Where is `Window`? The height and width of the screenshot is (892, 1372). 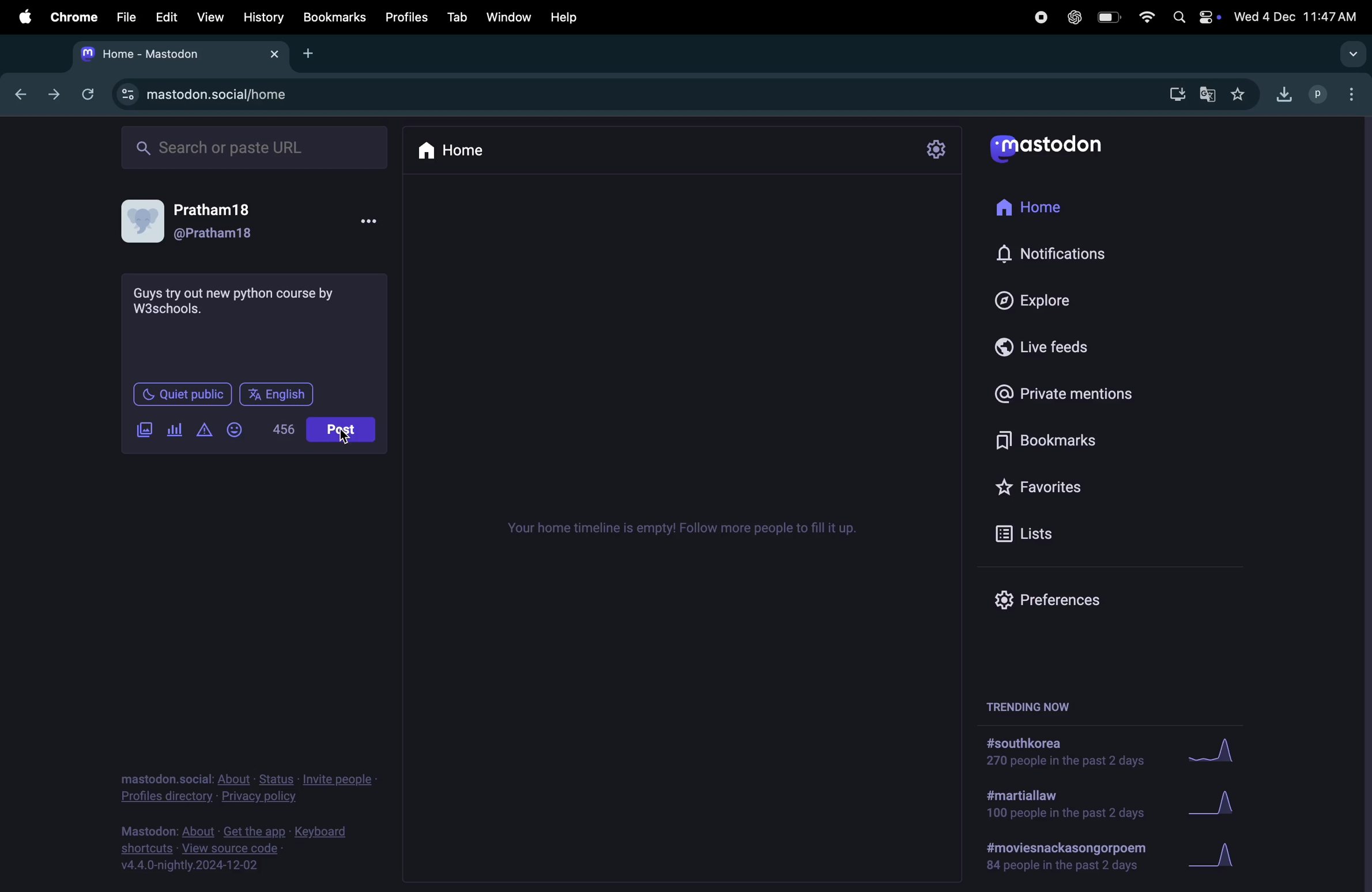 Window is located at coordinates (506, 18).